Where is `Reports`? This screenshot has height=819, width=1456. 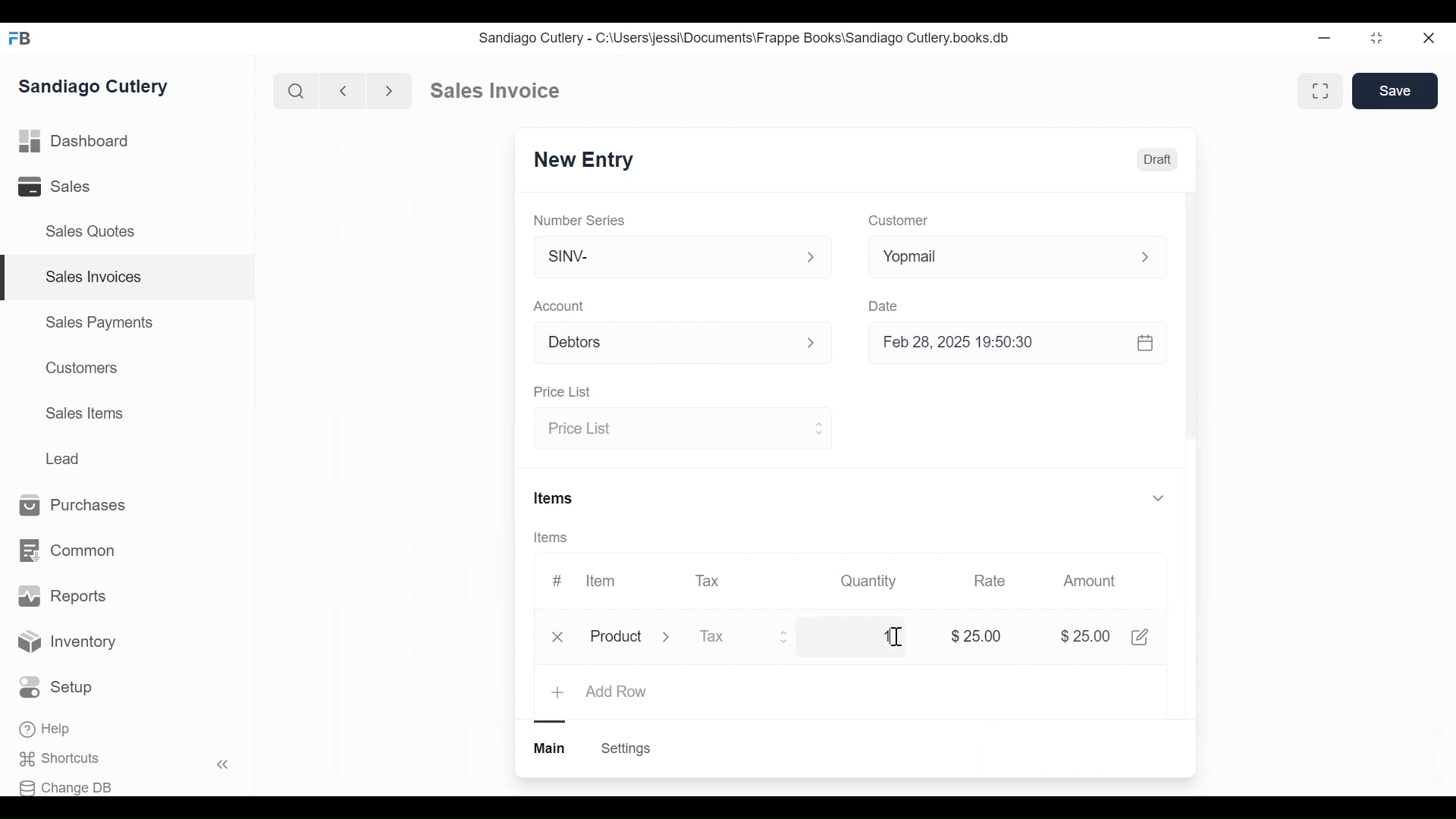
Reports is located at coordinates (62, 596).